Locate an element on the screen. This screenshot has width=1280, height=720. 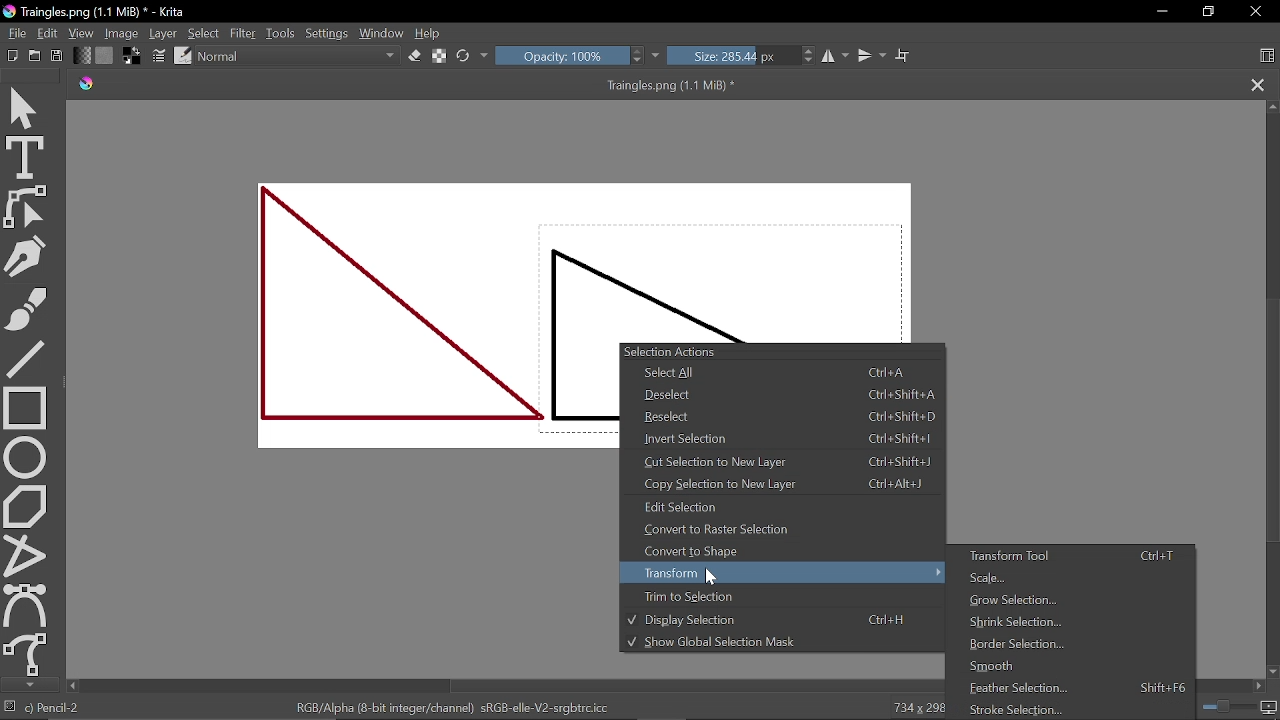
Frontier selection is located at coordinates (1074, 688).